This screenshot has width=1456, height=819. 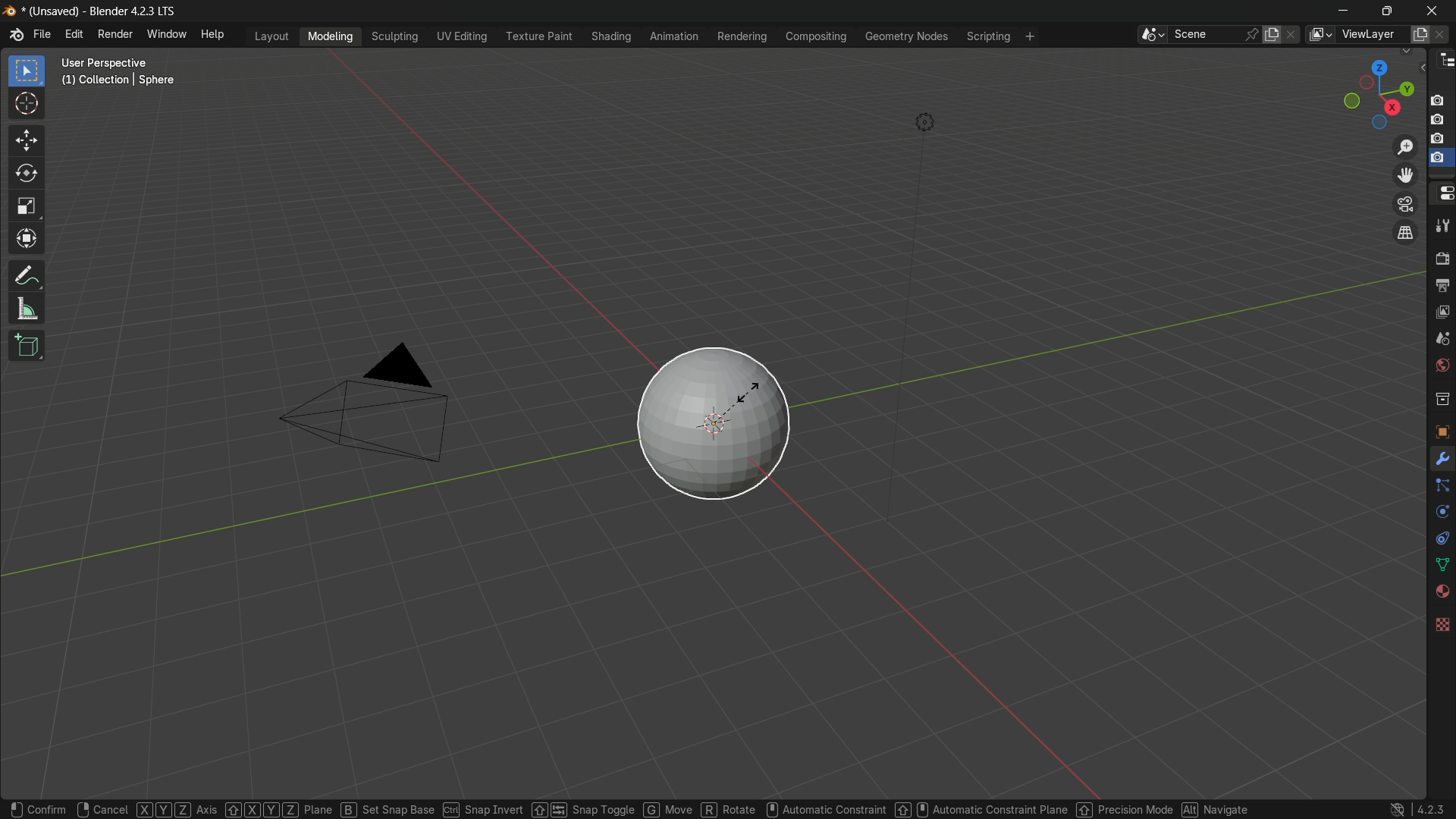 What do you see at coordinates (1442, 623) in the screenshot?
I see `texture` at bounding box center [1442, 623].